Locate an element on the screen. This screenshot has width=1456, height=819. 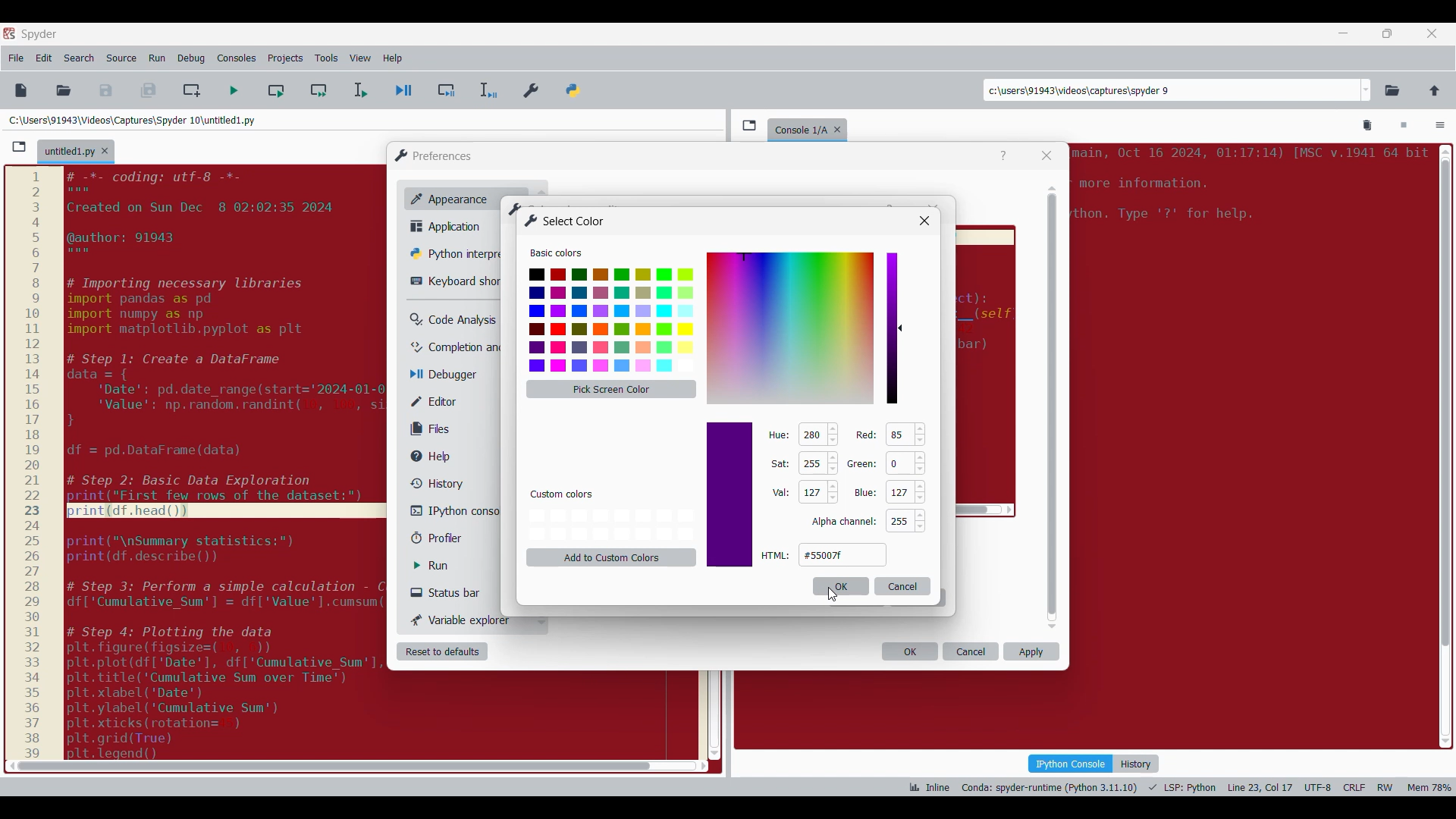
Code analysis is located at coordinates (453, 320).